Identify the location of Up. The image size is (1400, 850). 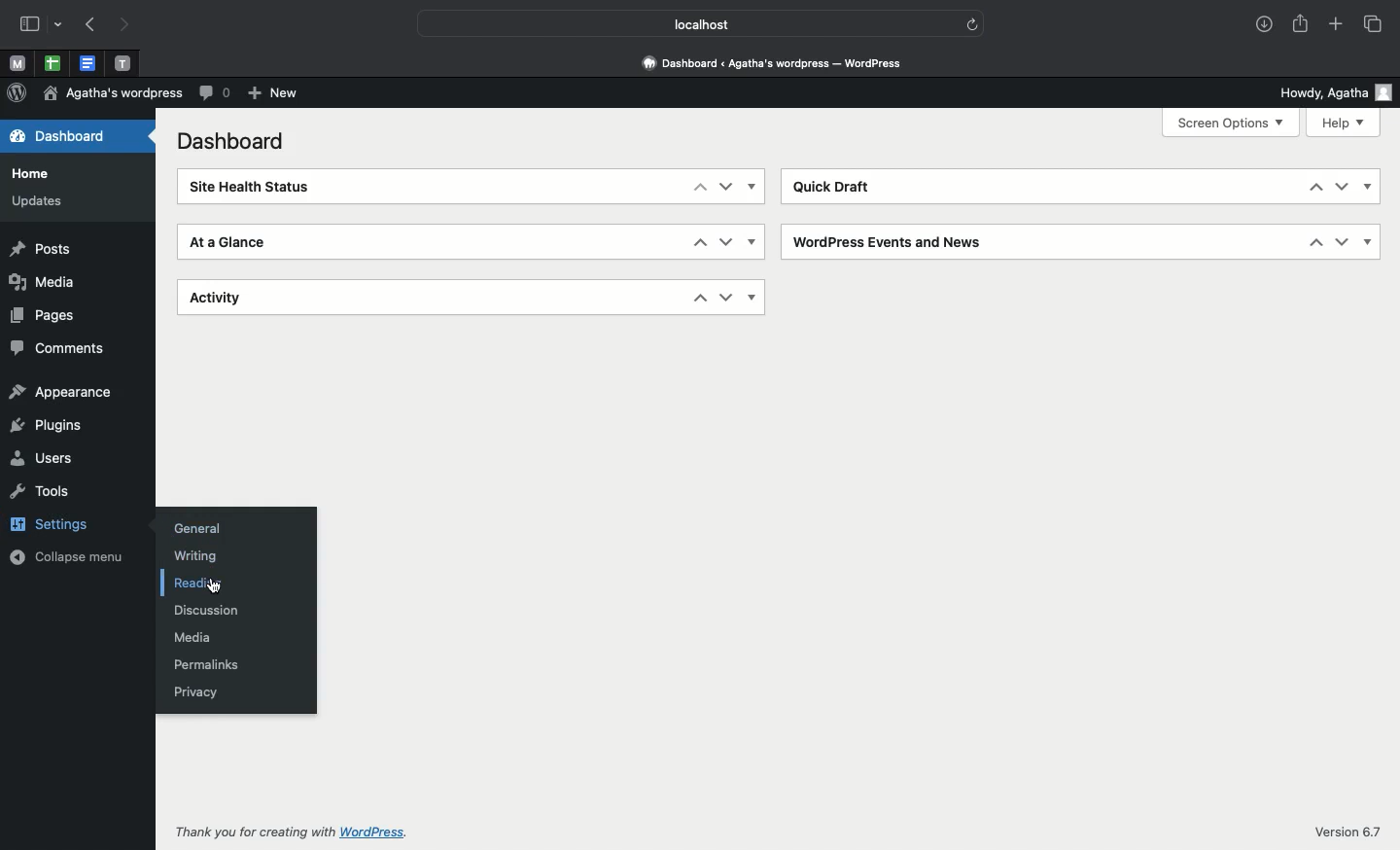
(699, 299).